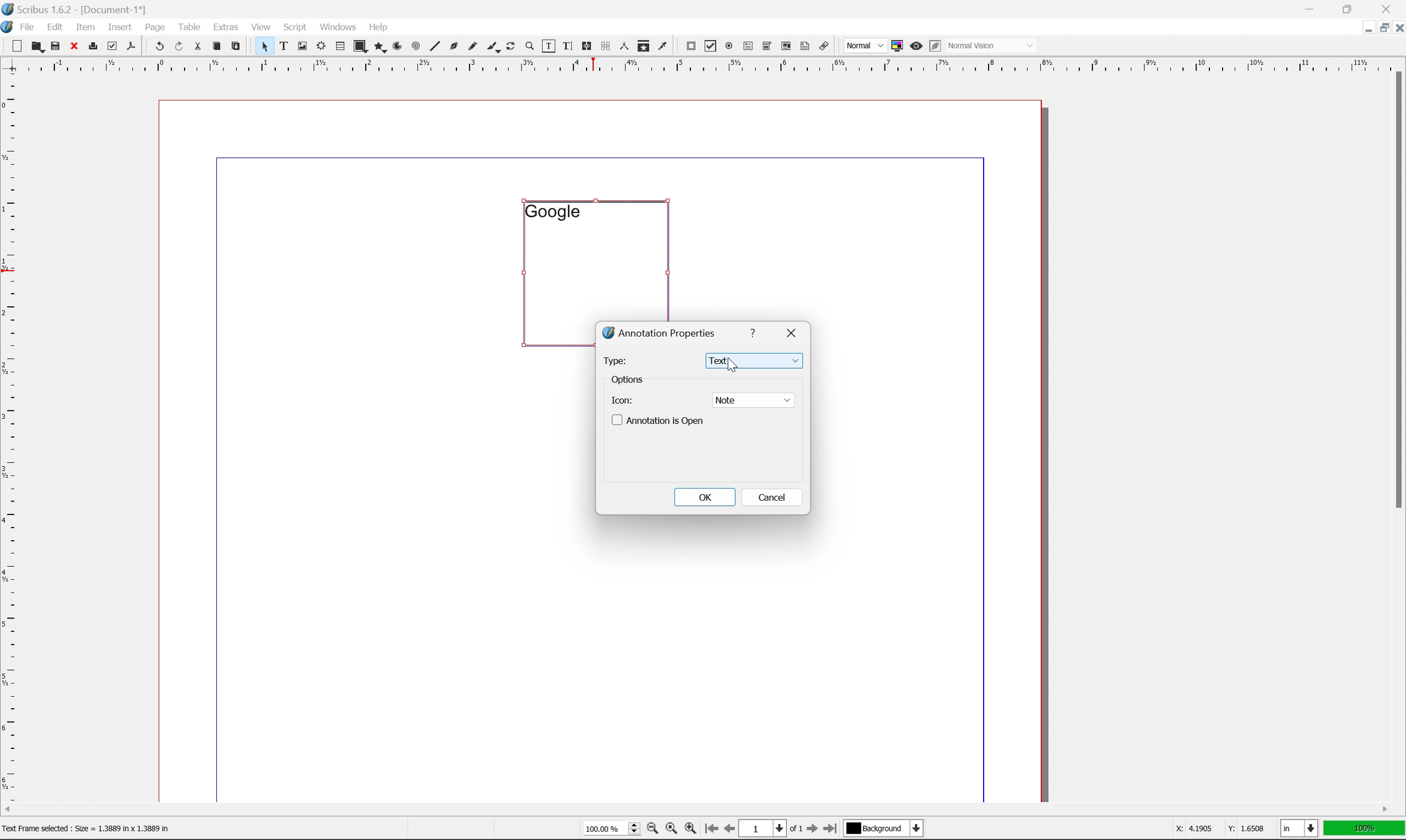 The width and height of the screenshot is (1406, 840). Describe the element at coordinates (237, 46) in the screenshot. I see `paste` at that location.